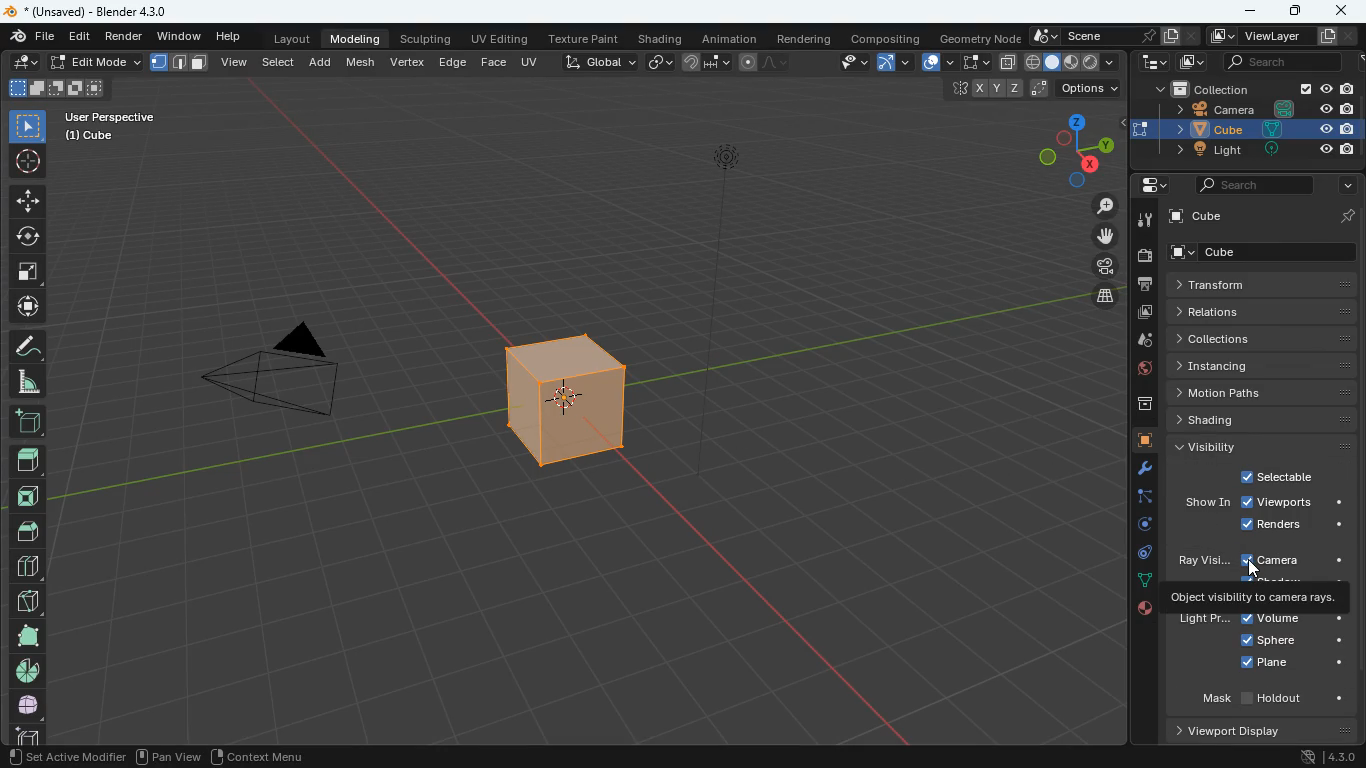 The width and height of the screenshot is (1366, 768). What do you see at coordinates (1139, 441) in the screenshot?
I see `cube` at bounding box center [1139, 441].